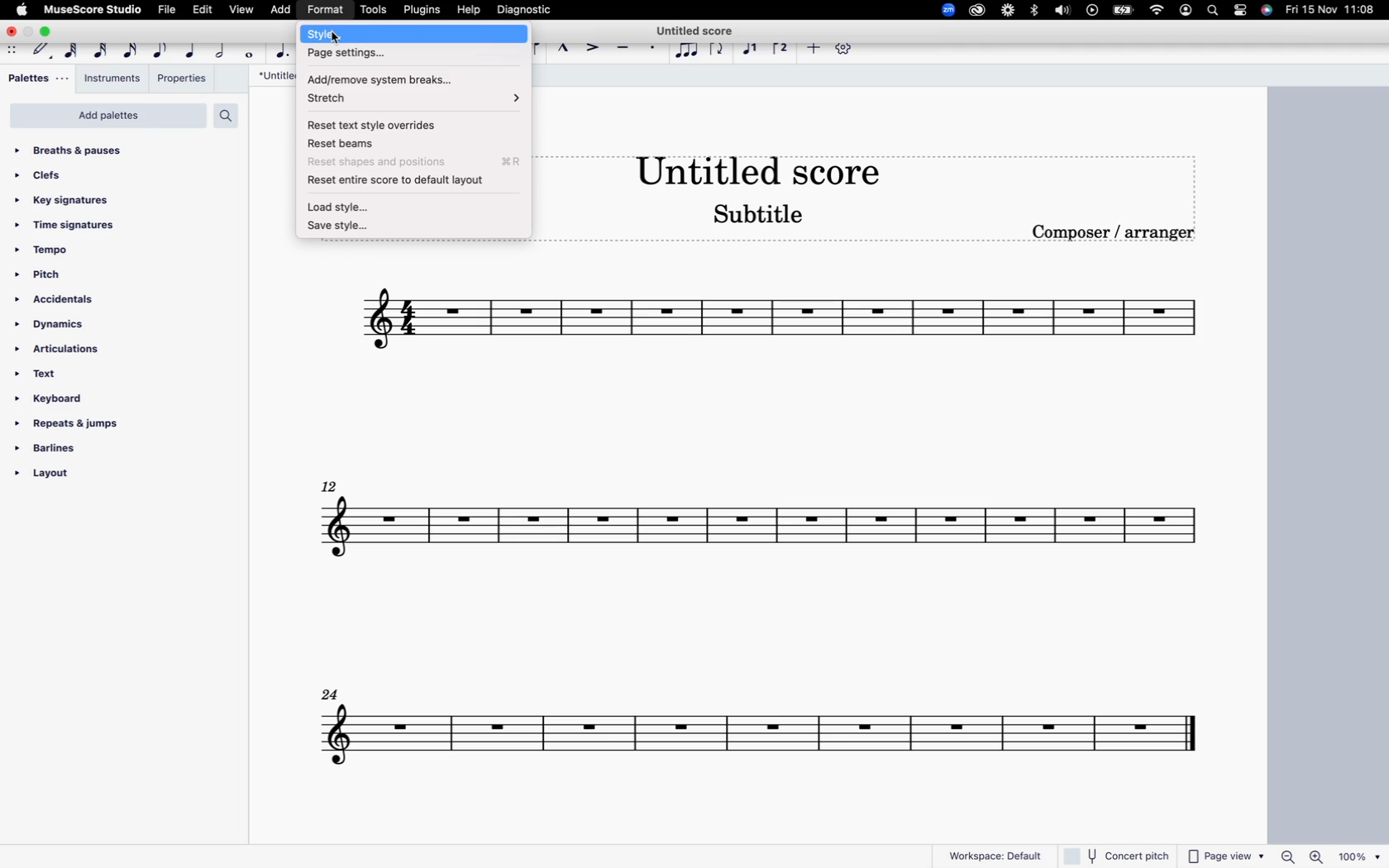  Describe the element at coordinates (129, 50) in the screenshot. I see `16th note` at that location.